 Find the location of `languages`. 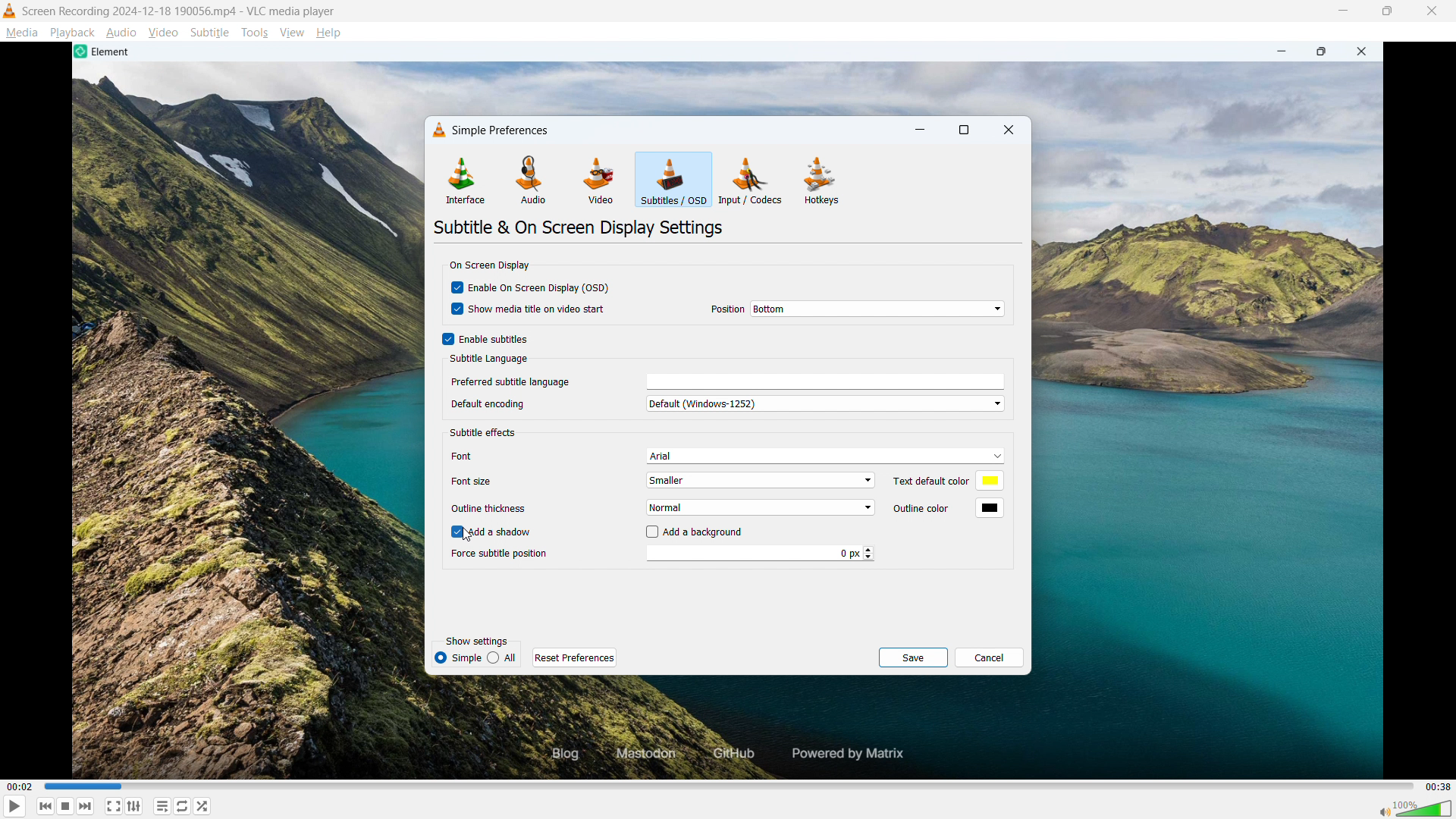

languages is located at coordinates (827, 379).